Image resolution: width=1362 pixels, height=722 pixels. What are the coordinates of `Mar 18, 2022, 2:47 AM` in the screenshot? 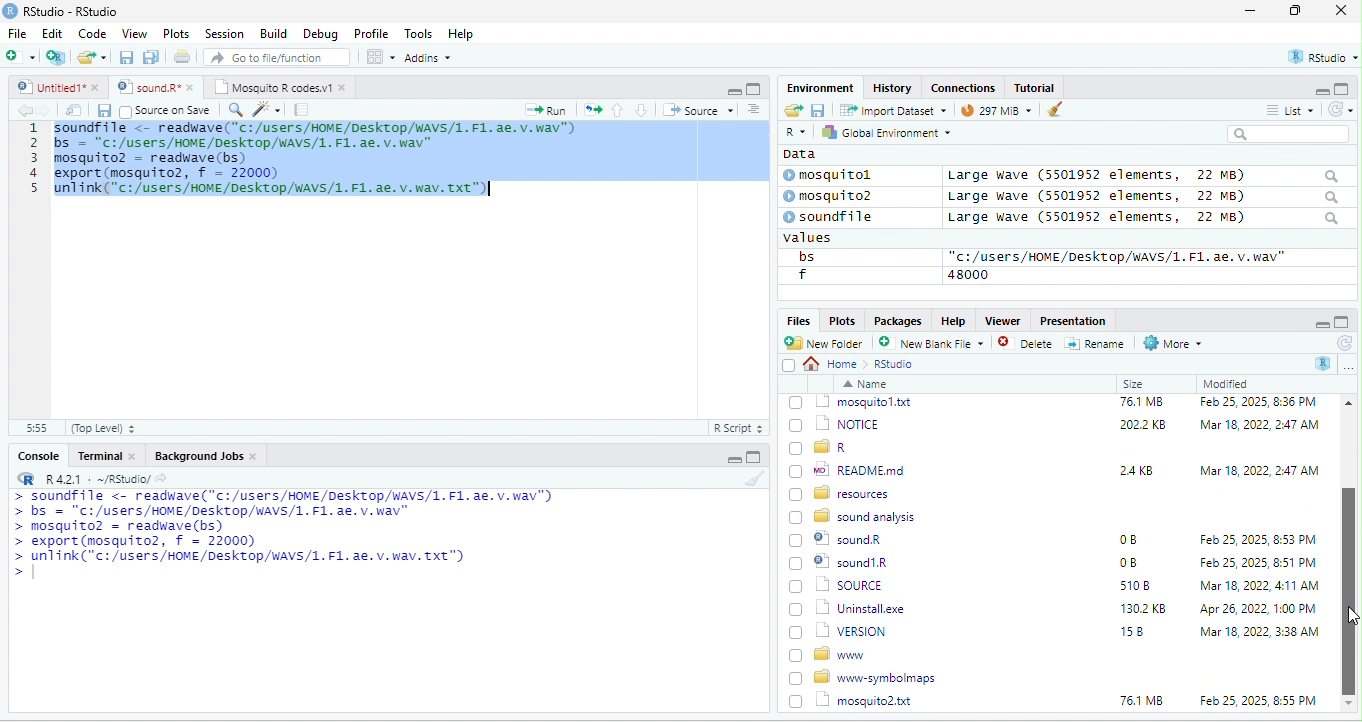 It's located at (1259, 588).